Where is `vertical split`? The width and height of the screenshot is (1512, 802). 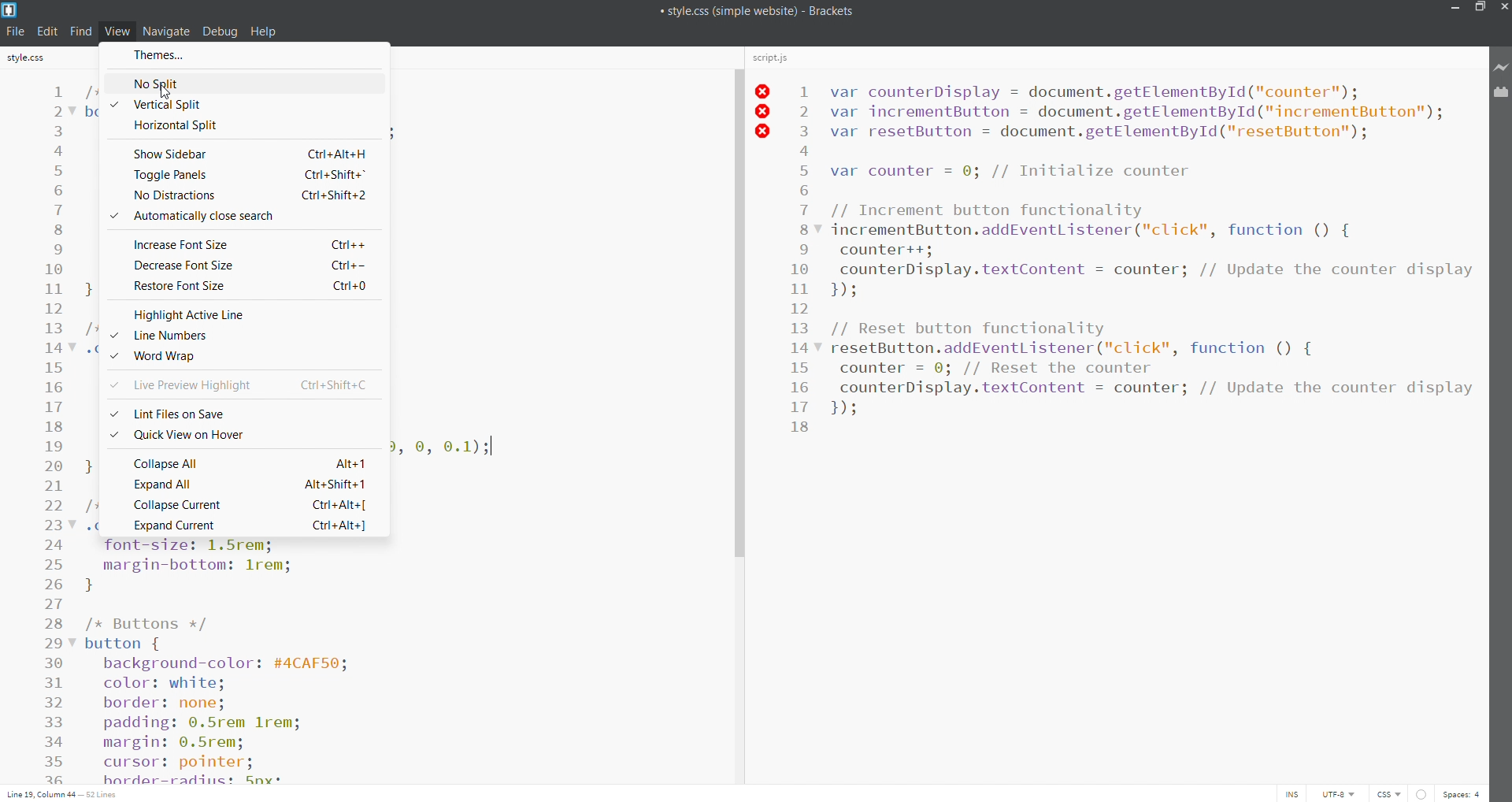 vertical split is located at coordinates (244, 105).